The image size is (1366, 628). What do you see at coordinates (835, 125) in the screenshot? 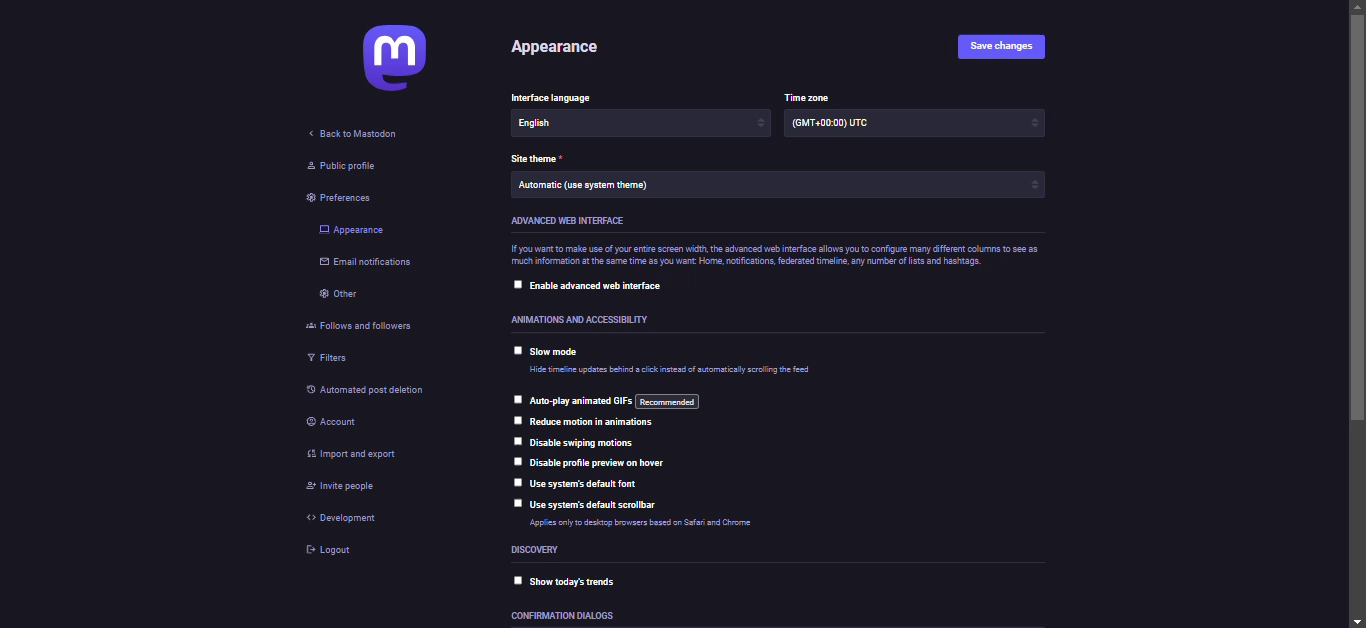
I see `time zone` at bounding box center [835, 125].